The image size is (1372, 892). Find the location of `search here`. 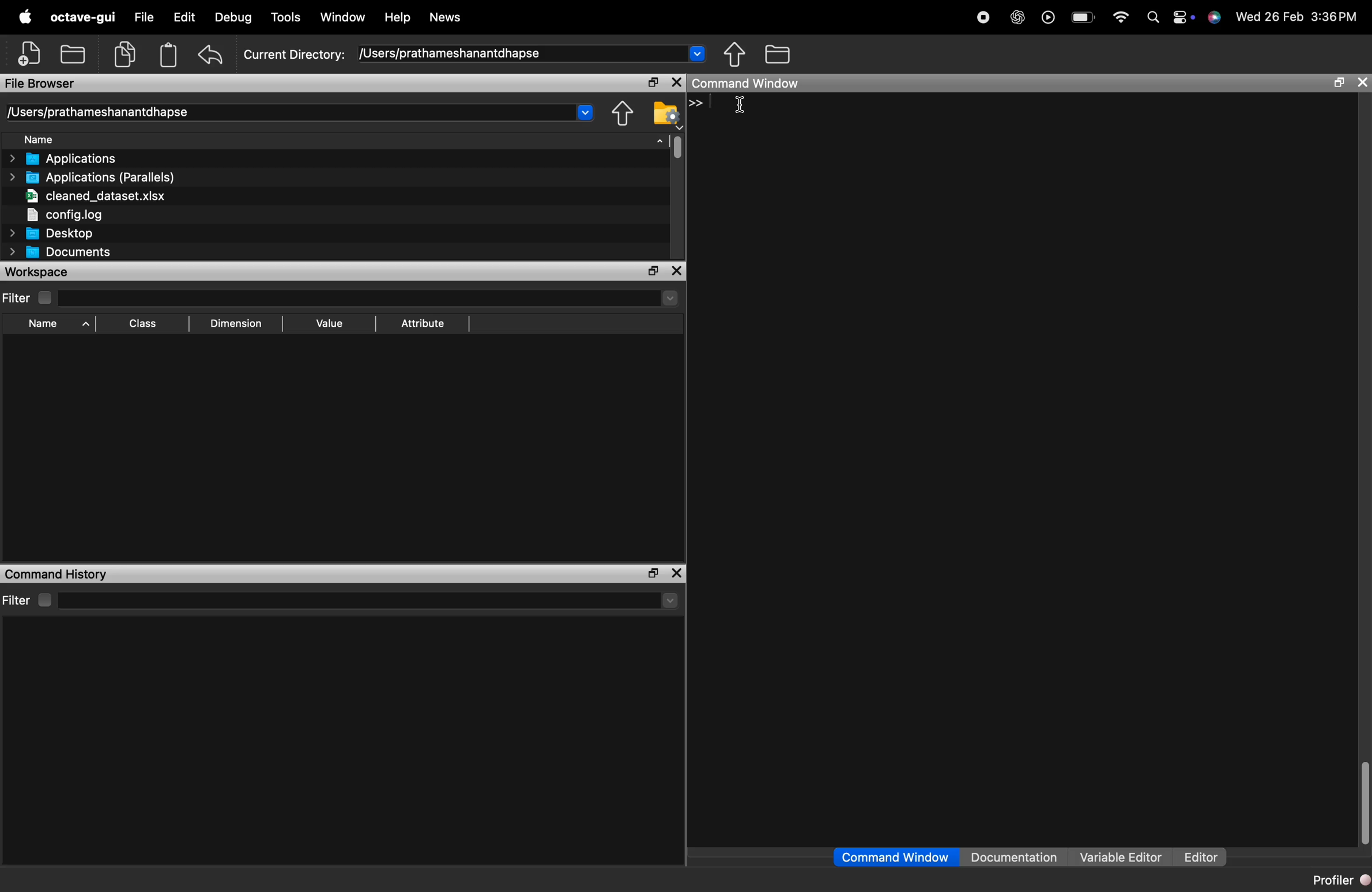

search here is located at coordinates (370, 599).